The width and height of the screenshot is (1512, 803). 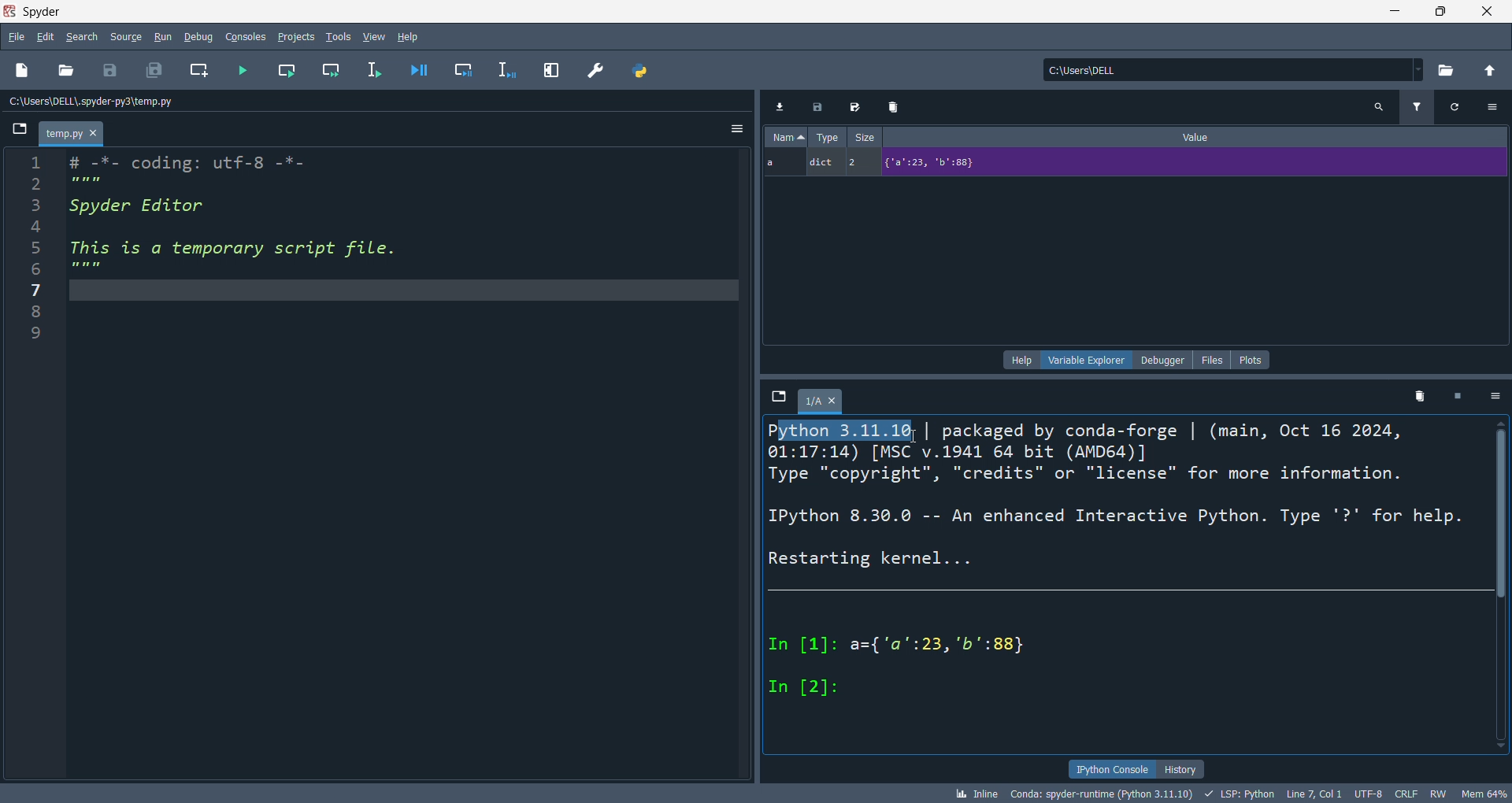 I want to click on scroll bar, so click(x=1503, y=590).